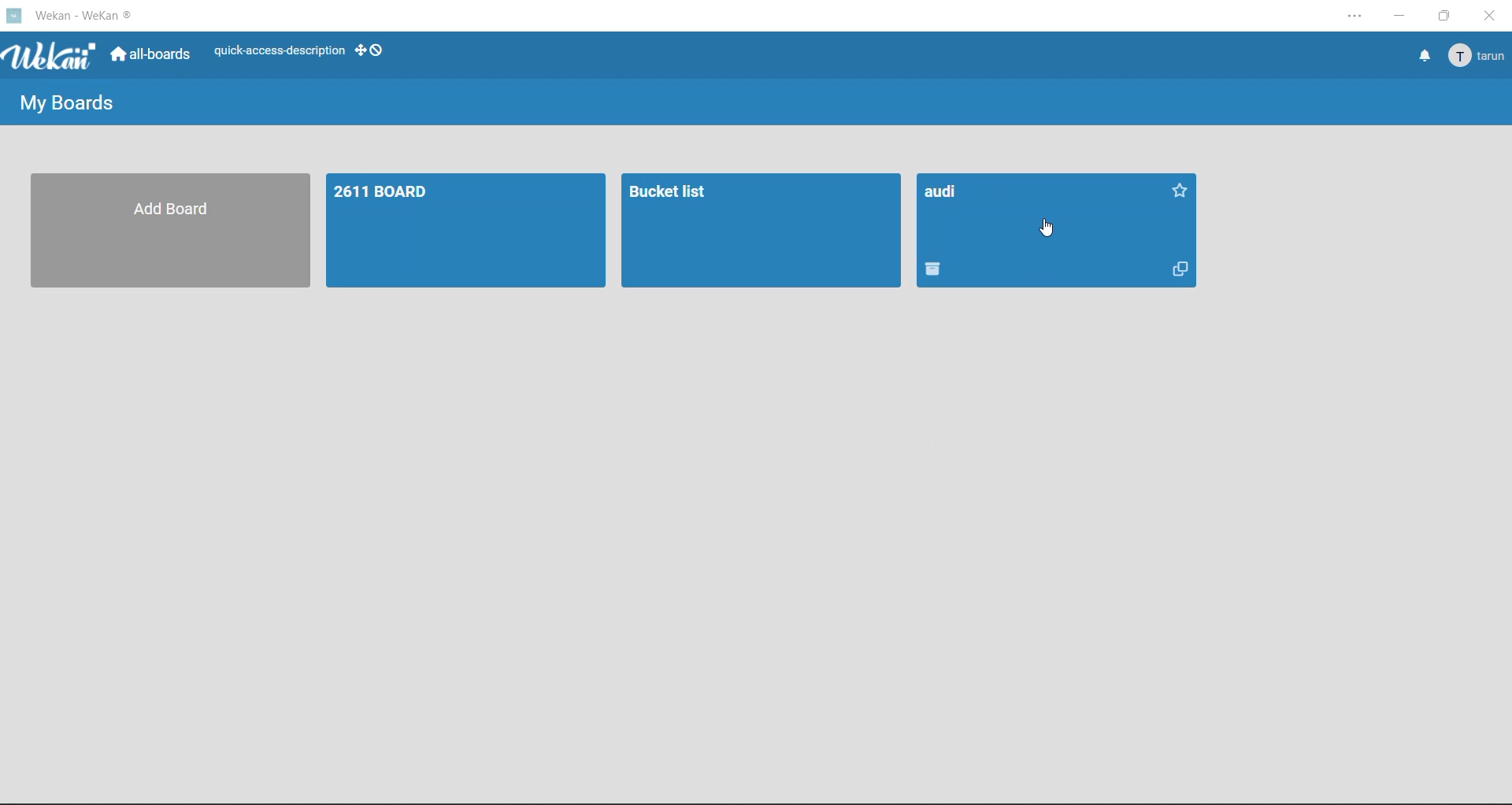 The width and height of the screenshot is (1512, 805). Describe the element at coordinates (1048, 228) in the screenshot. I see `cursor` at that location.